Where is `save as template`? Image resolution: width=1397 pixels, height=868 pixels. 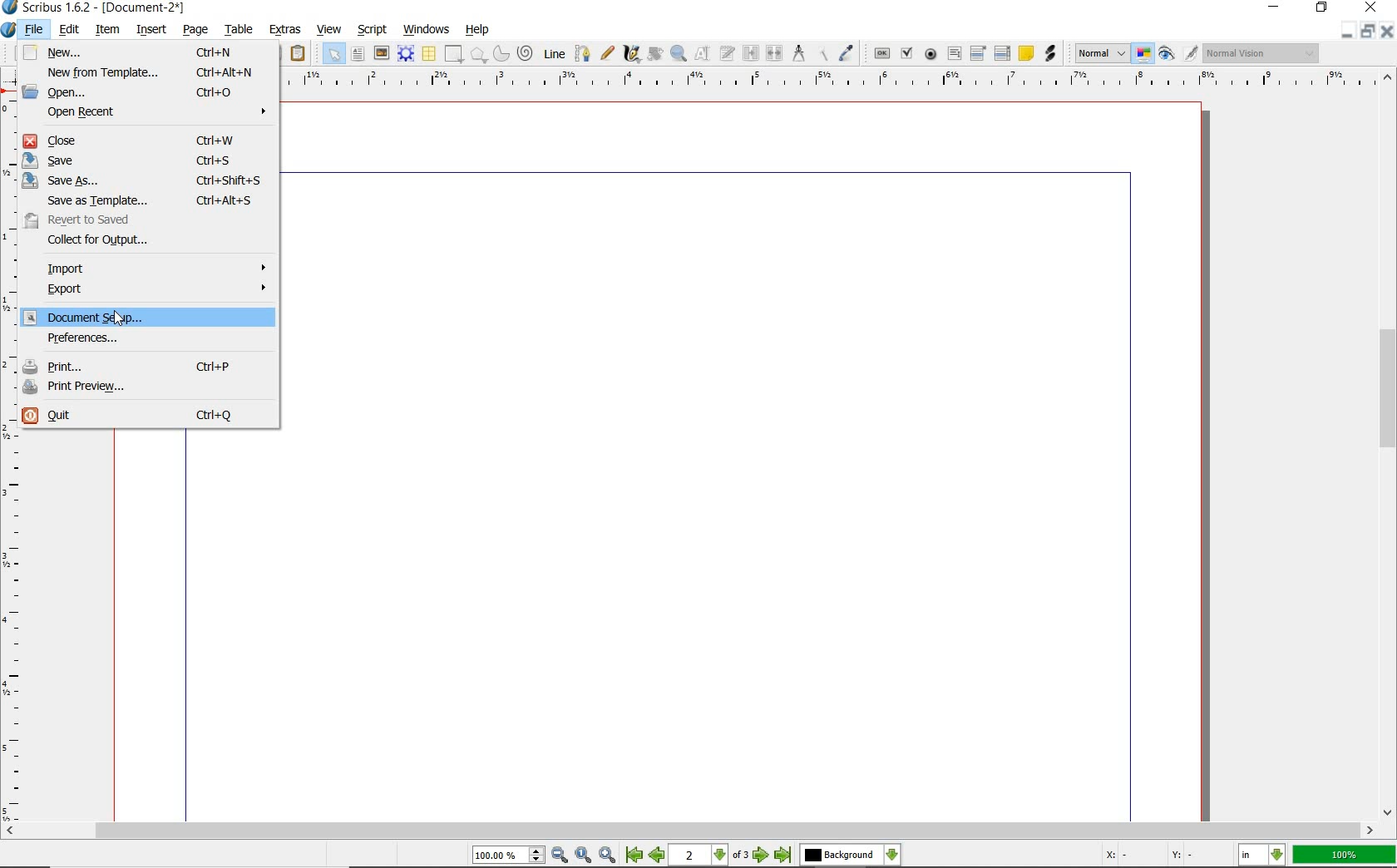
save as template is located at coordinates (150, 199).